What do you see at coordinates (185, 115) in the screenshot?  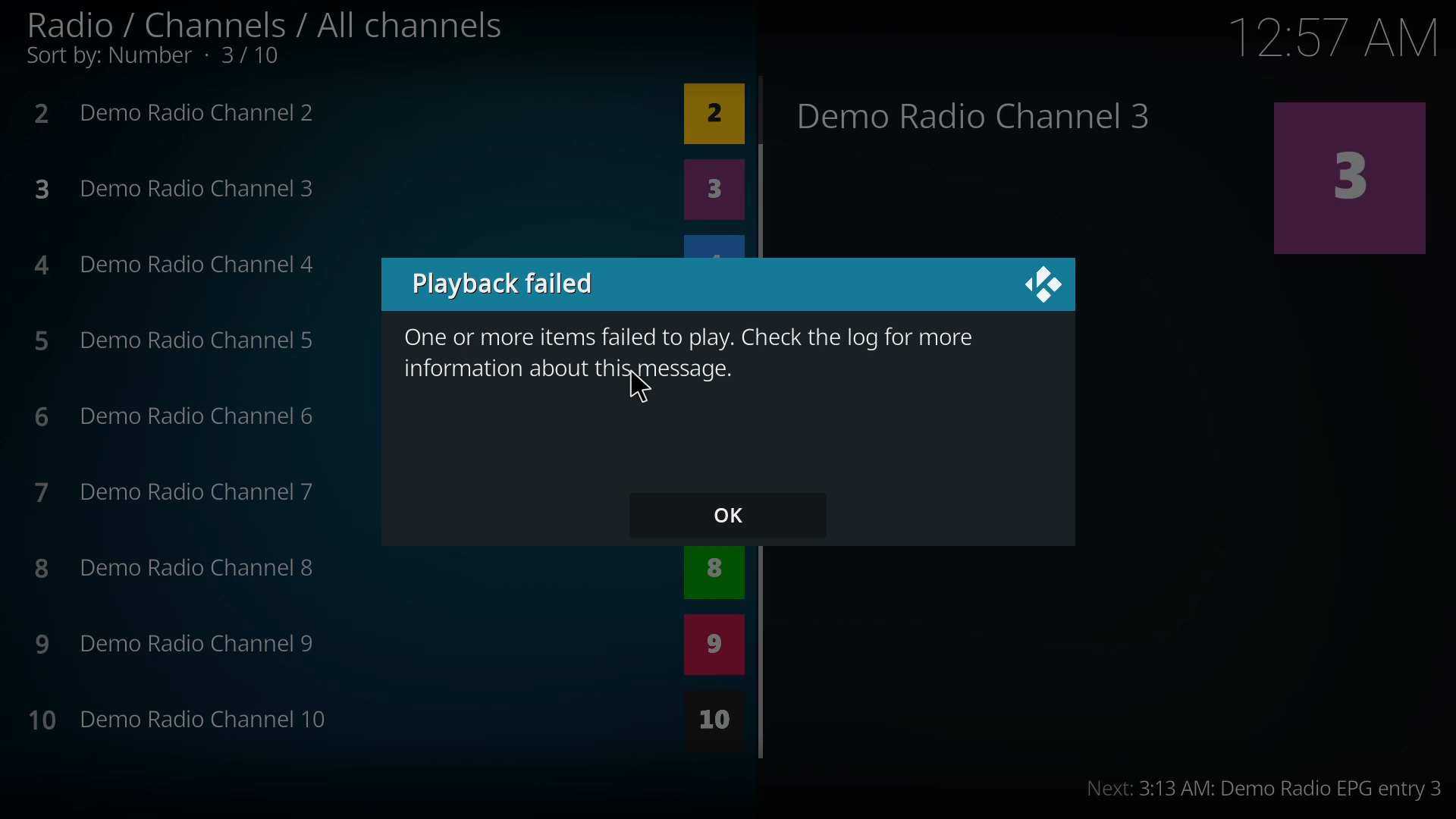 I see `2 Demo Radio Channel 2` at bounding box center [185, 115].